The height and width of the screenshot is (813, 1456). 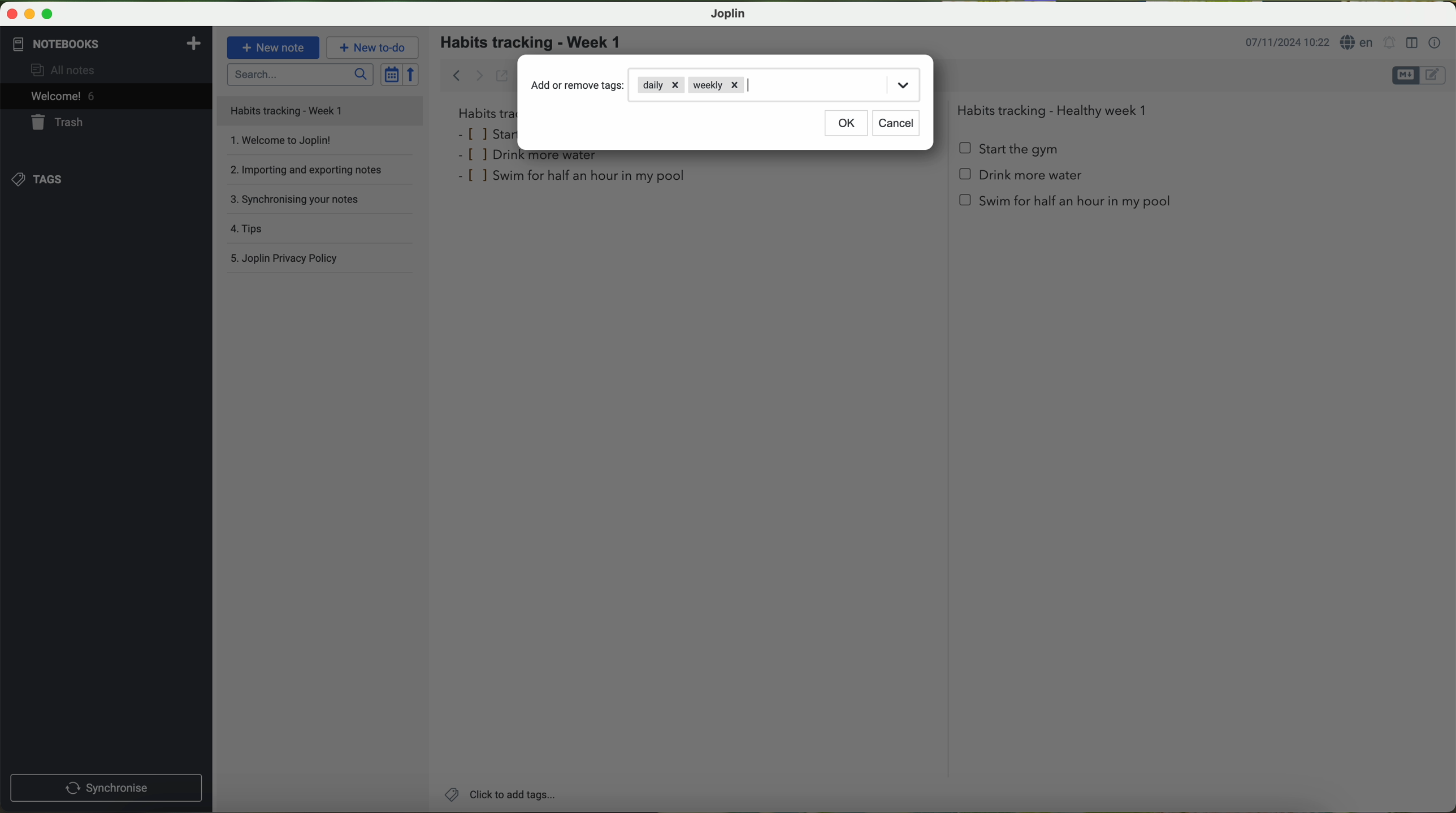 I want to click on synchronising your notes, so click(x=324, y=203).